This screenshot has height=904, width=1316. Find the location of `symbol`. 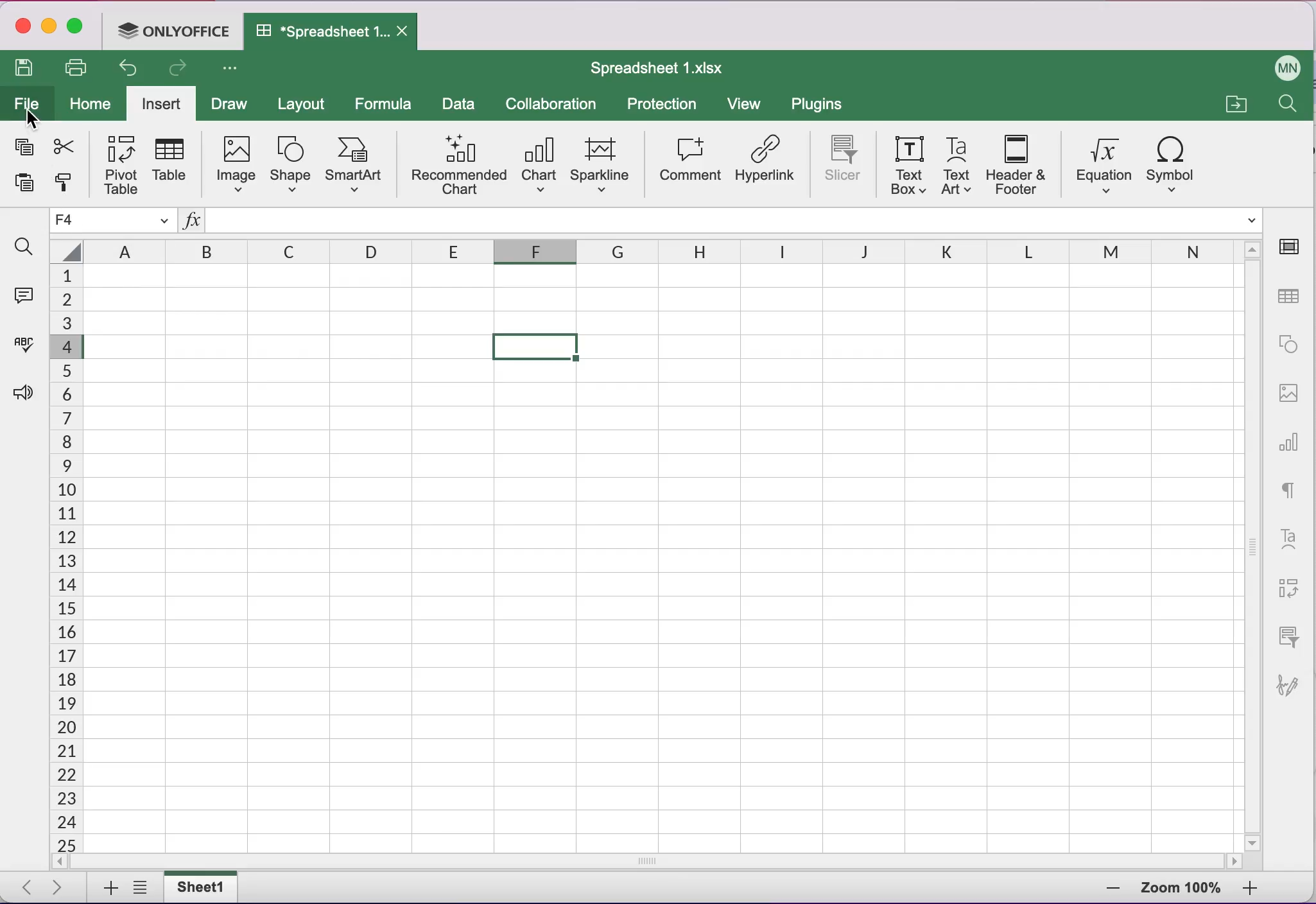

symbol is located at coordinates (1173, 161).